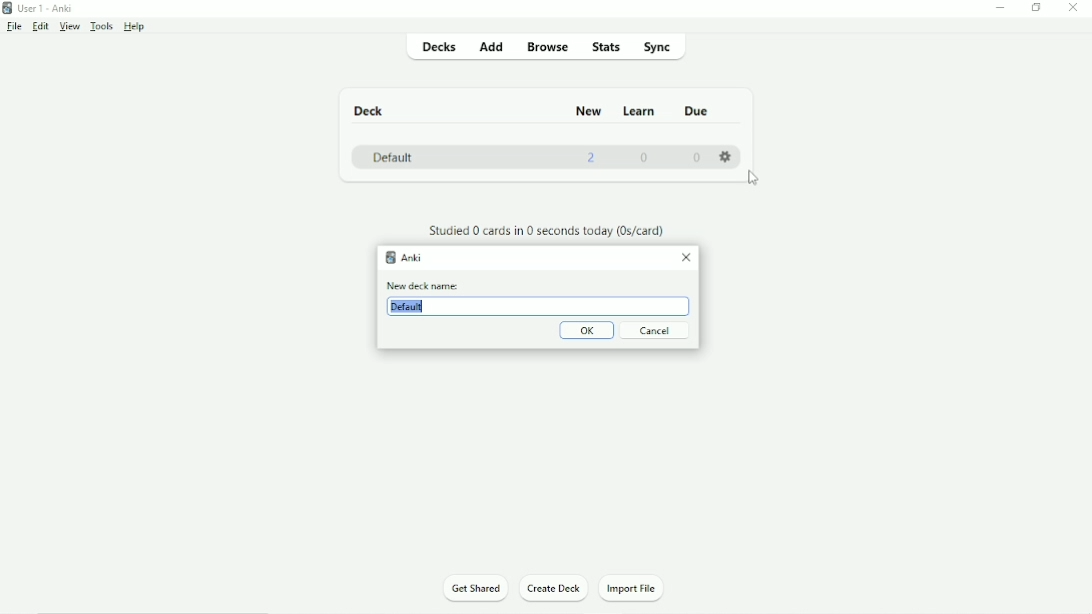 This screenshot has height=614, width=1092. Describe the element at coordinates (44, 8) in the screenshot. I see `User 1 - Anki` at that location.